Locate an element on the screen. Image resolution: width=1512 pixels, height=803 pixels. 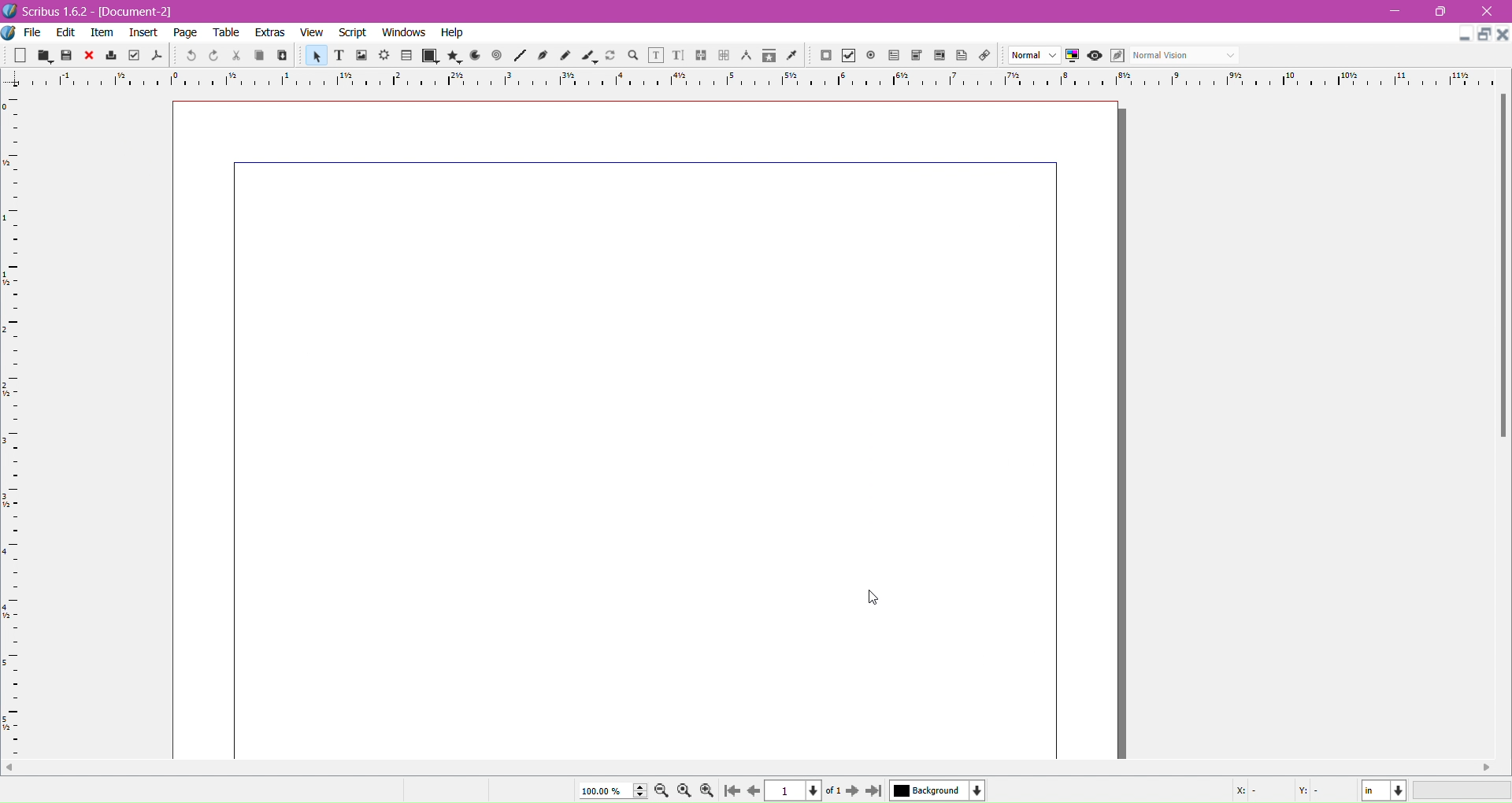
icon is located at coordinates (653, 55).